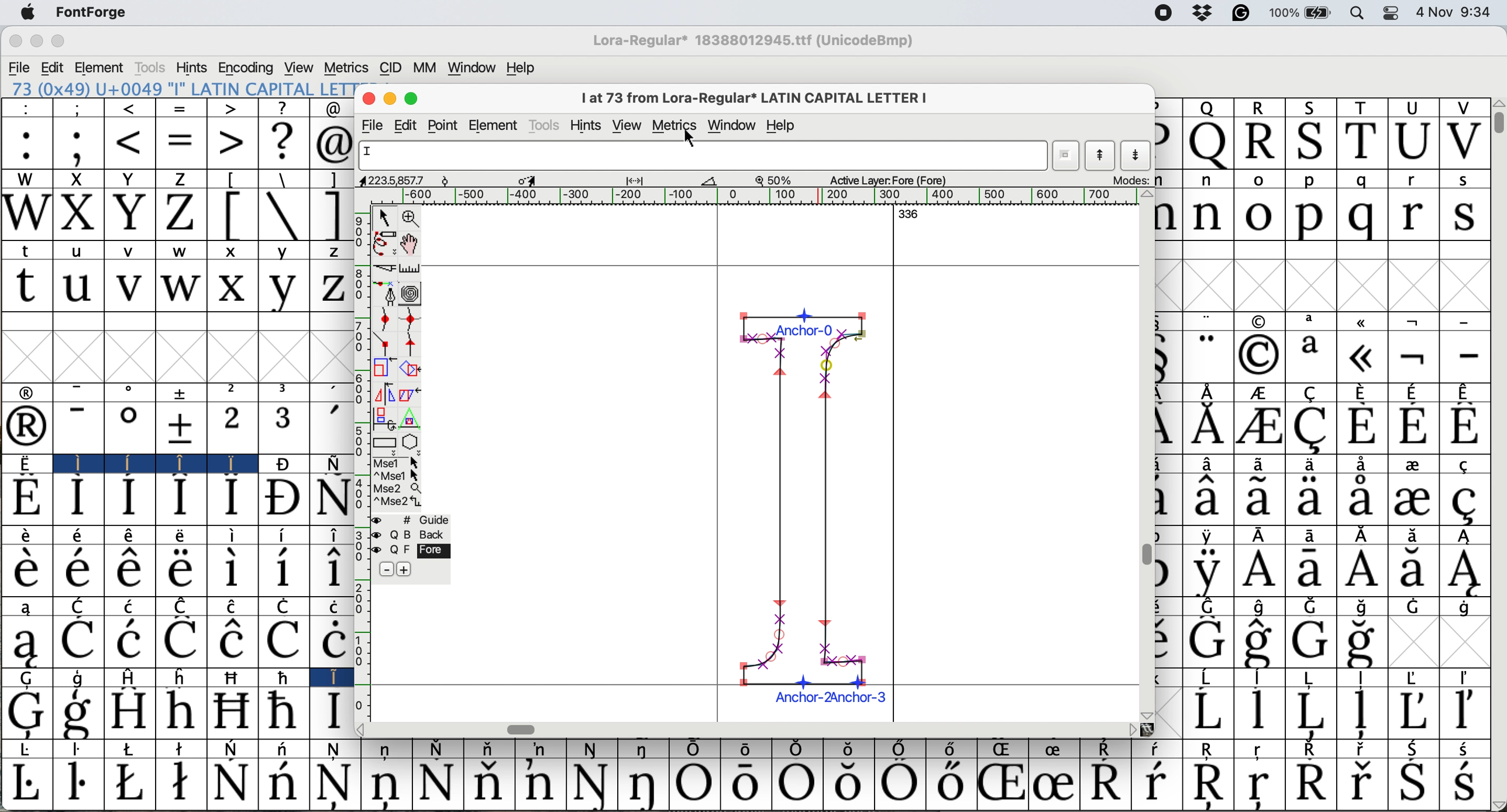  What do you see at coordinates (1414, 605) in the screenshot?
I see `` at bounding box center [1414, 605].